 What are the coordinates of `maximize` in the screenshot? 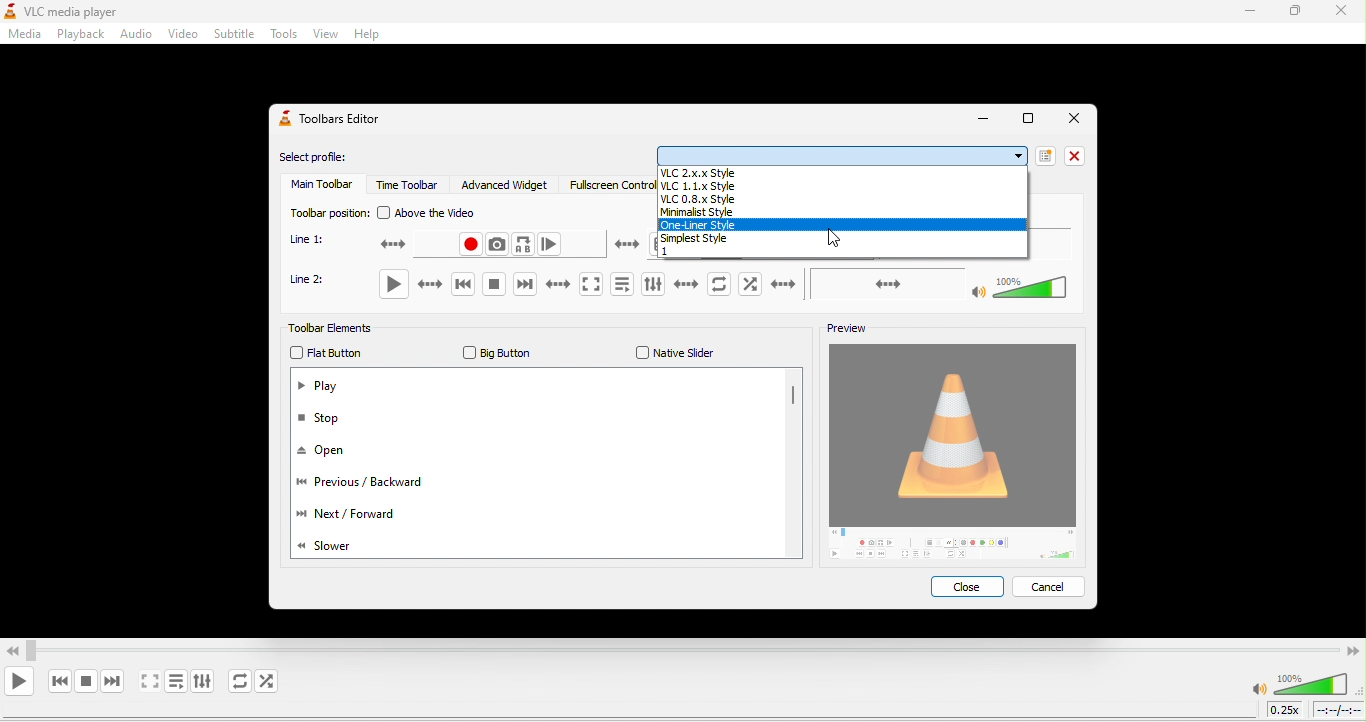 It's located at (1025, 118).